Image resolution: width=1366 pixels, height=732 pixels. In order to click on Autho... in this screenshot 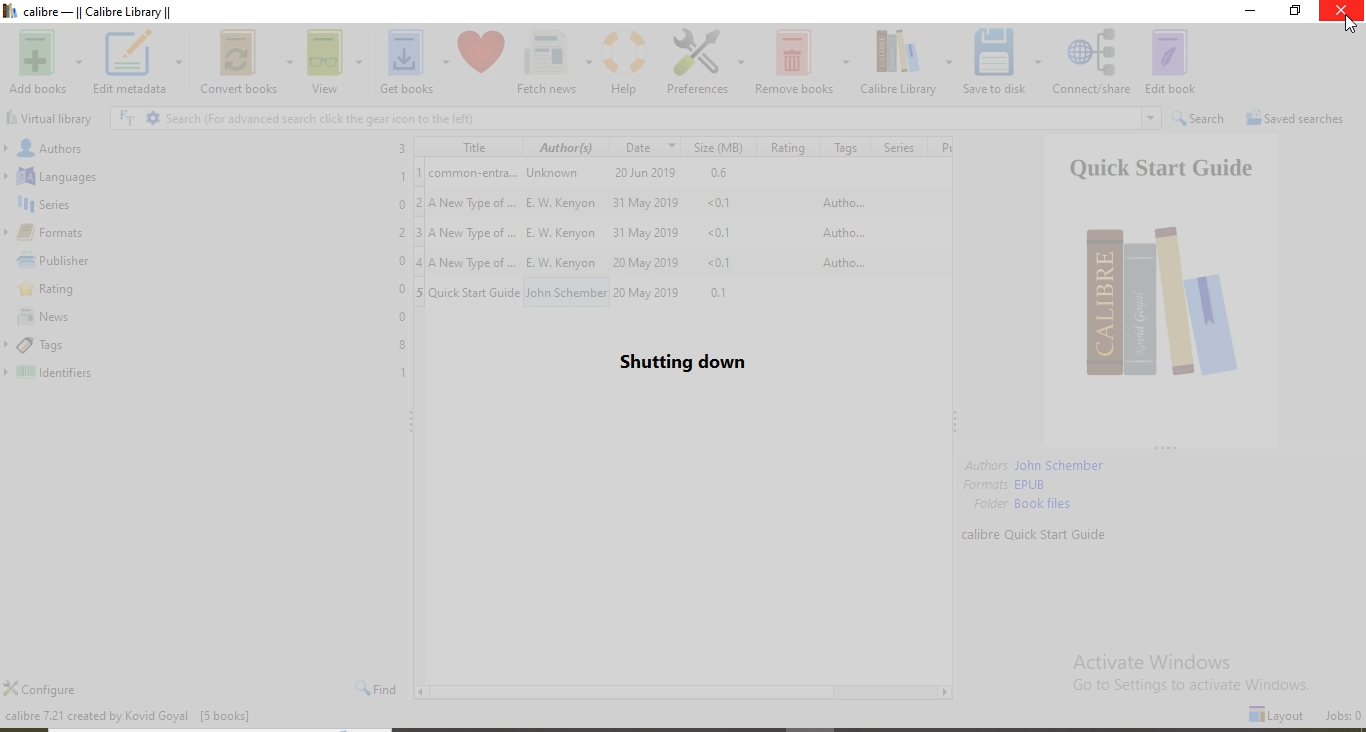, I will do `click(841, 263)`.